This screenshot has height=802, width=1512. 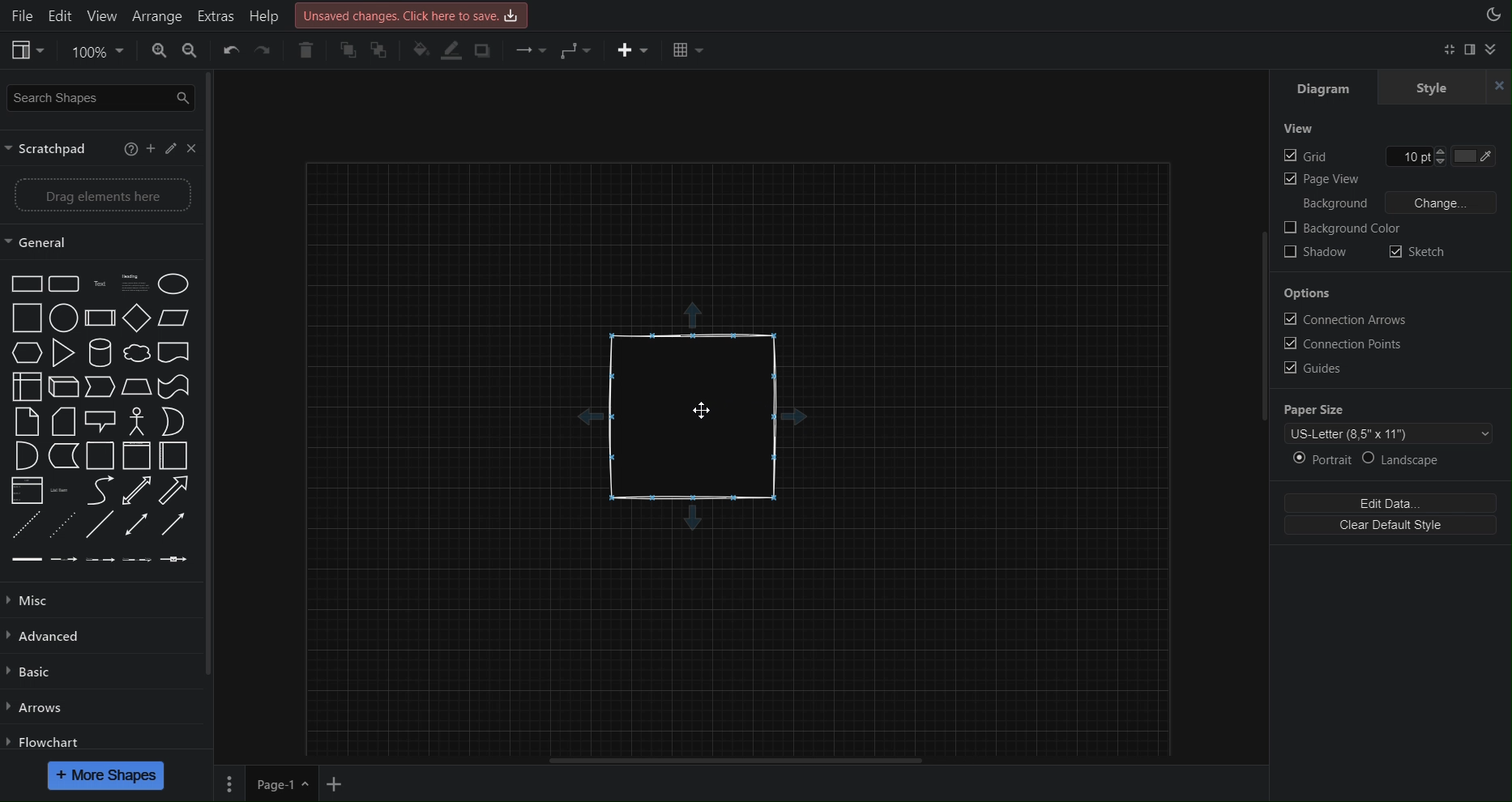 What do you see at coordinates (1419, 250) in the screenshot?
I see `Sketch` at bounding box center [1419, 250].